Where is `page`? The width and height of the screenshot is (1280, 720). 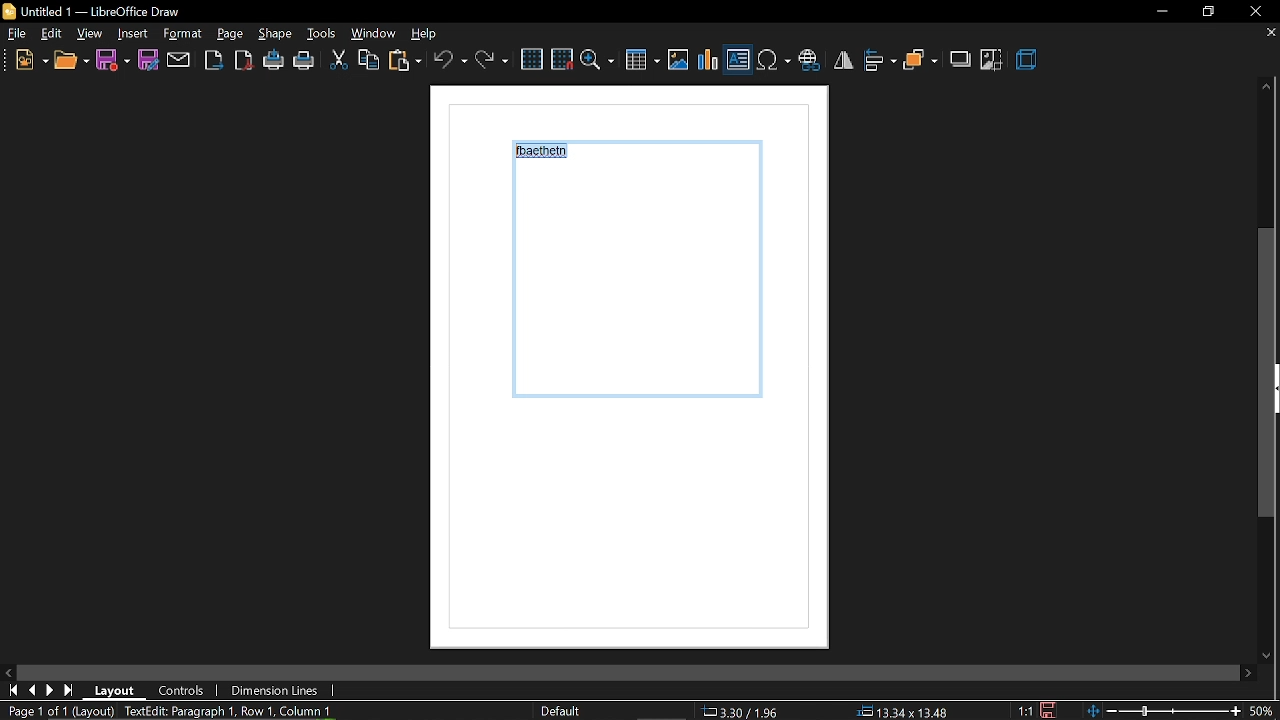 page is located at coordinates (276, 33).